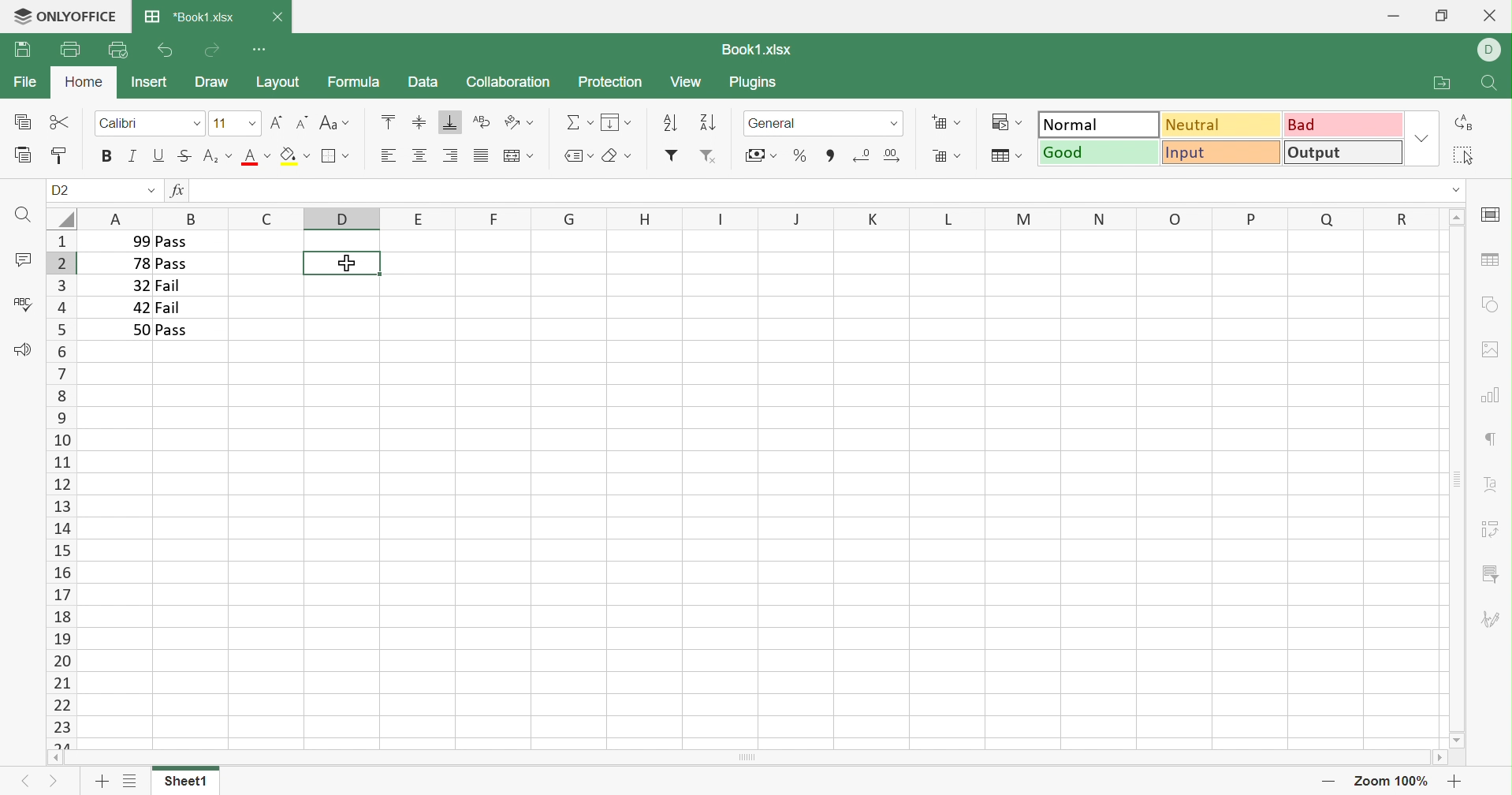 The height and width of the screenshot is (795, 1512). I want to click on Sort descending, so click(669, 121).